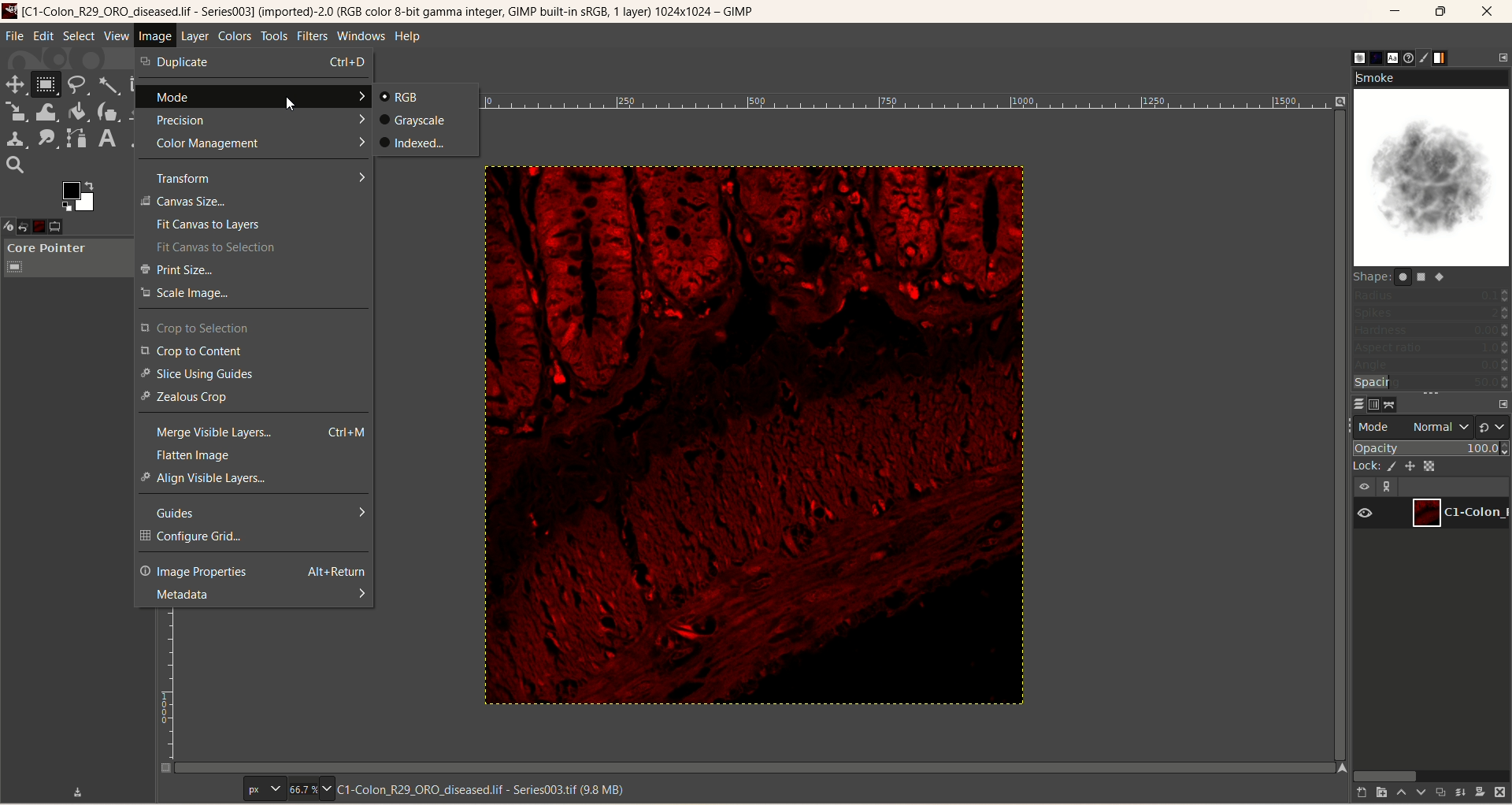 Image resolution: width=1512 pixels, height=805 pixels. I want to click on maximize, so click(1440, 12).